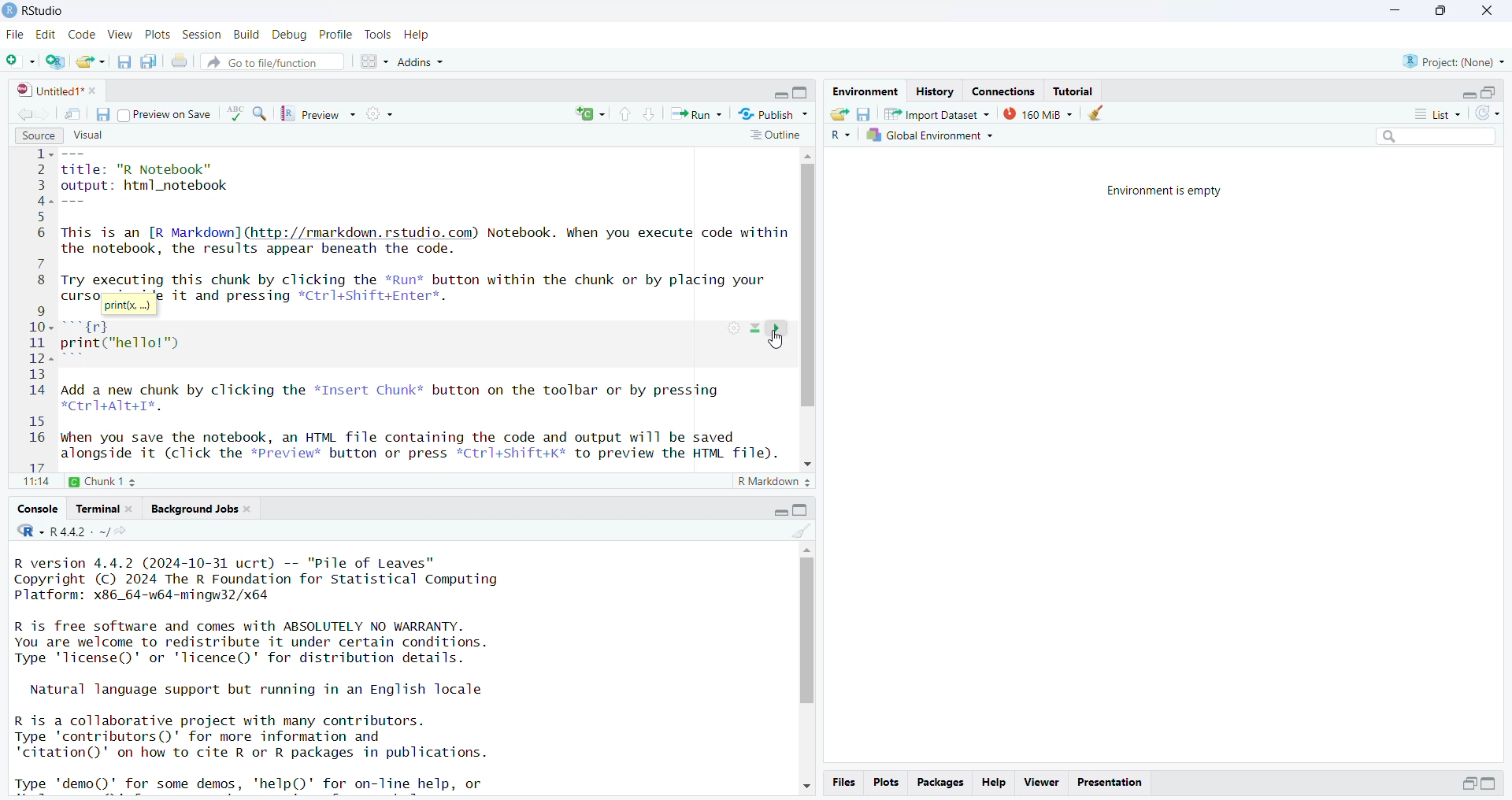 The width and height of the screenshot is (1512, 800). Describe the element at coordinates (42, 309) in the screenshot. I see `line numbers` at that location.